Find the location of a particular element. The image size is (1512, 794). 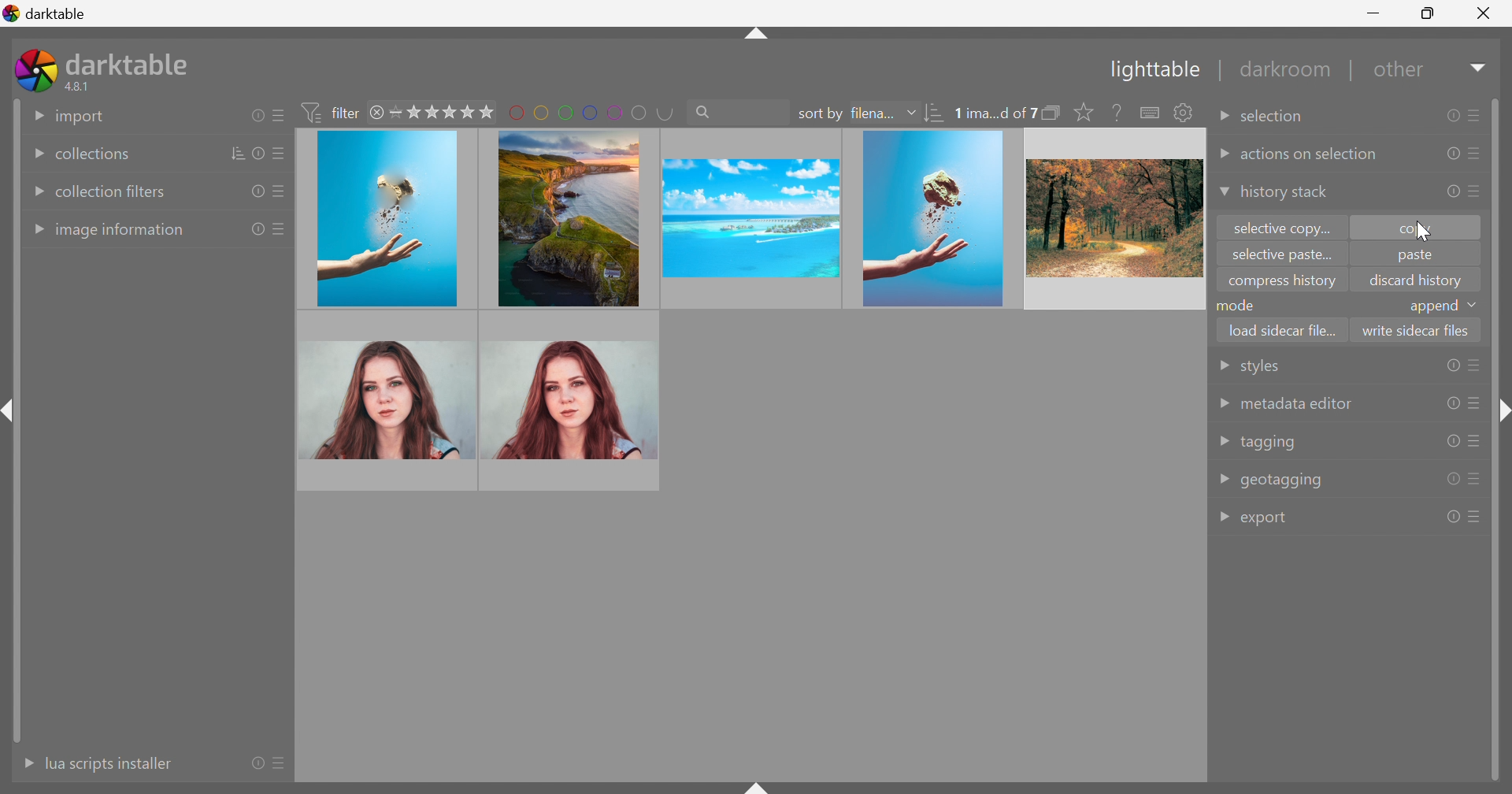

paste is located at coordinates (1414, 258).